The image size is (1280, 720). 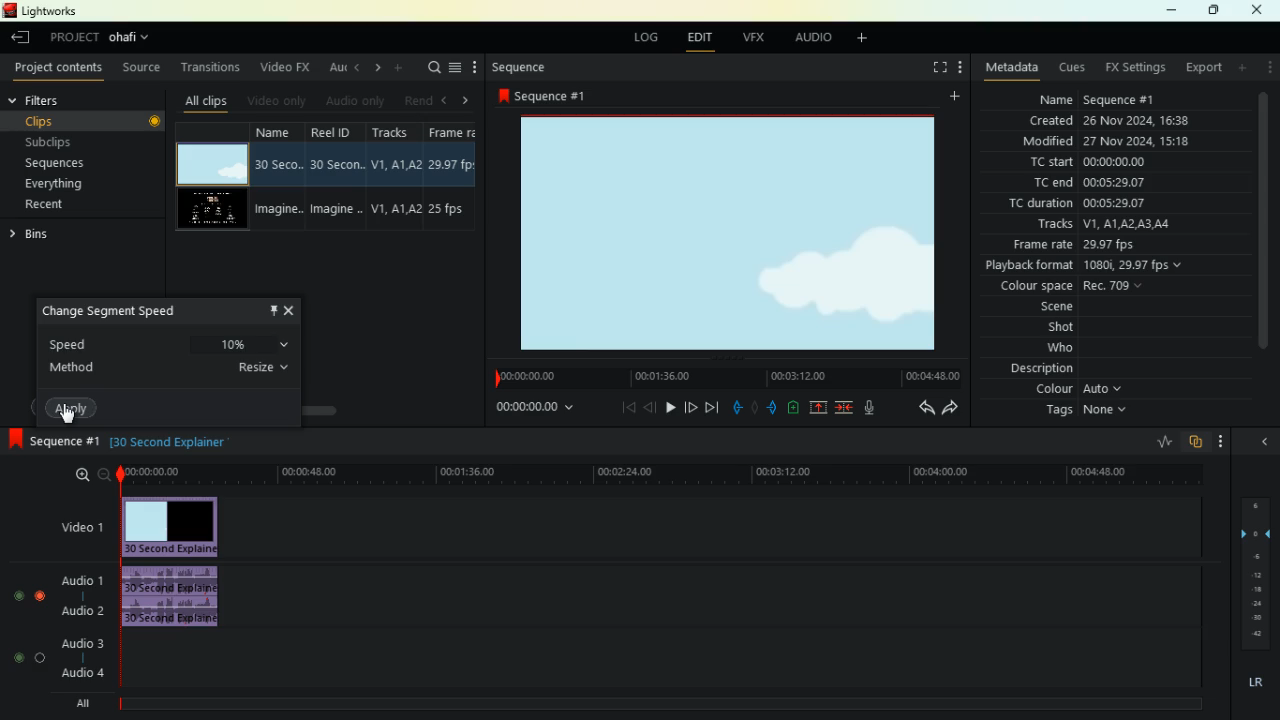 I want to click on recent, so click(x=61, y=204).